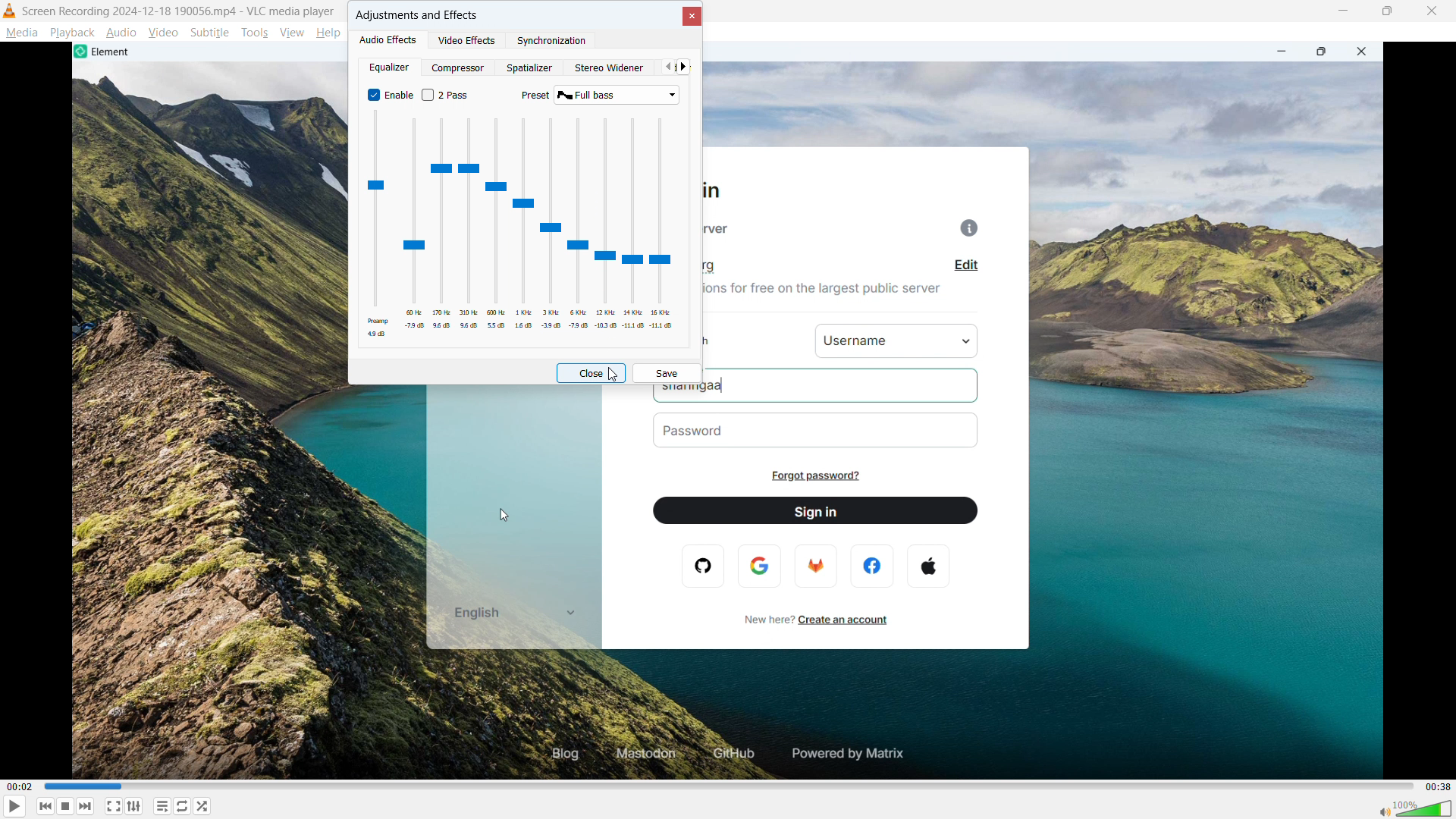 Image resolution: width=1456 pixels, height=819 pixels. Describe the element at coordinates (191, 806) in the screenshot. I see `Toggle between loop all, one loop and no loop` at that location.